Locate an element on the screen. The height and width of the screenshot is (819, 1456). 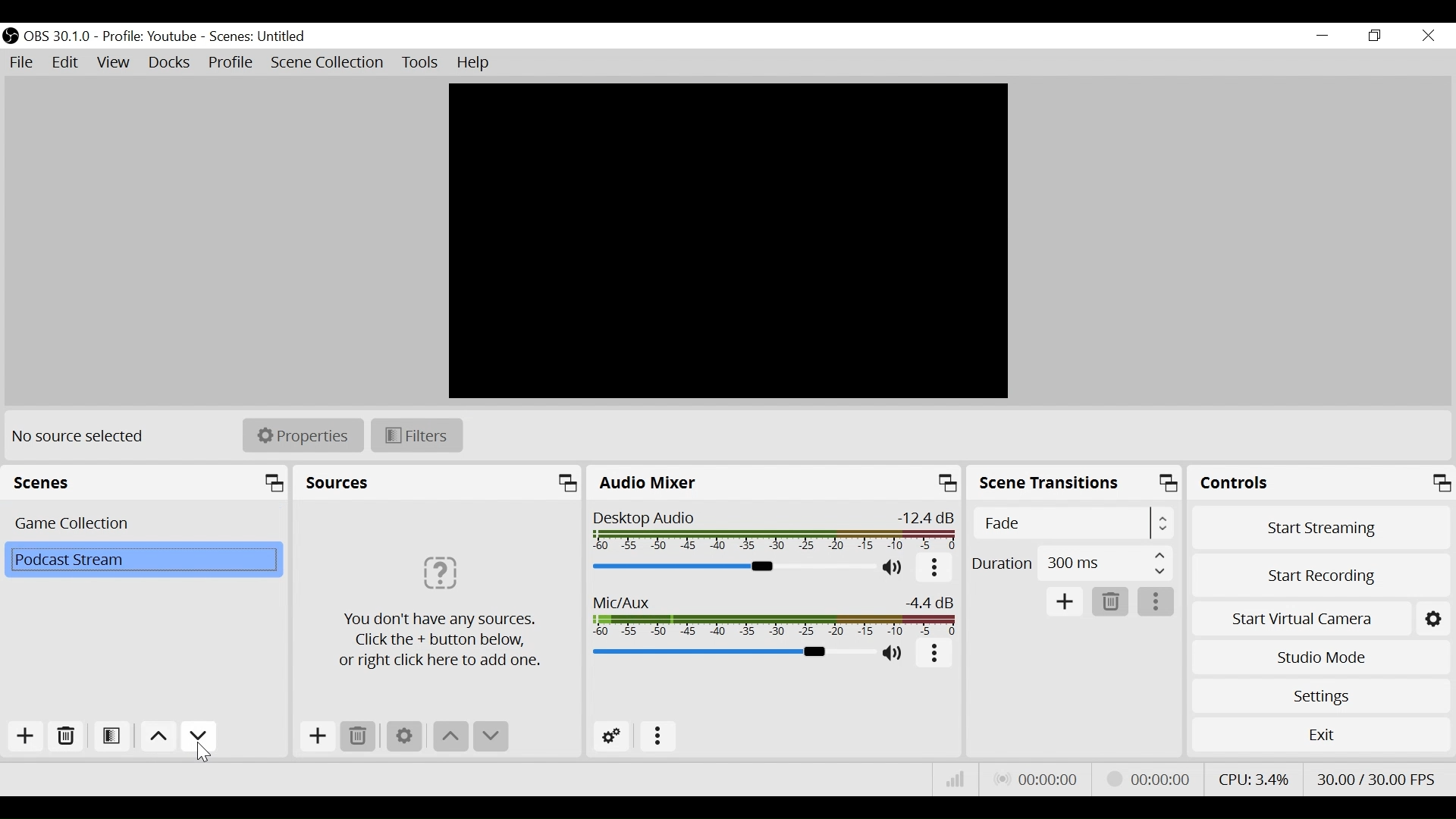
CPU Usage is located at coordinates (1253, 777).